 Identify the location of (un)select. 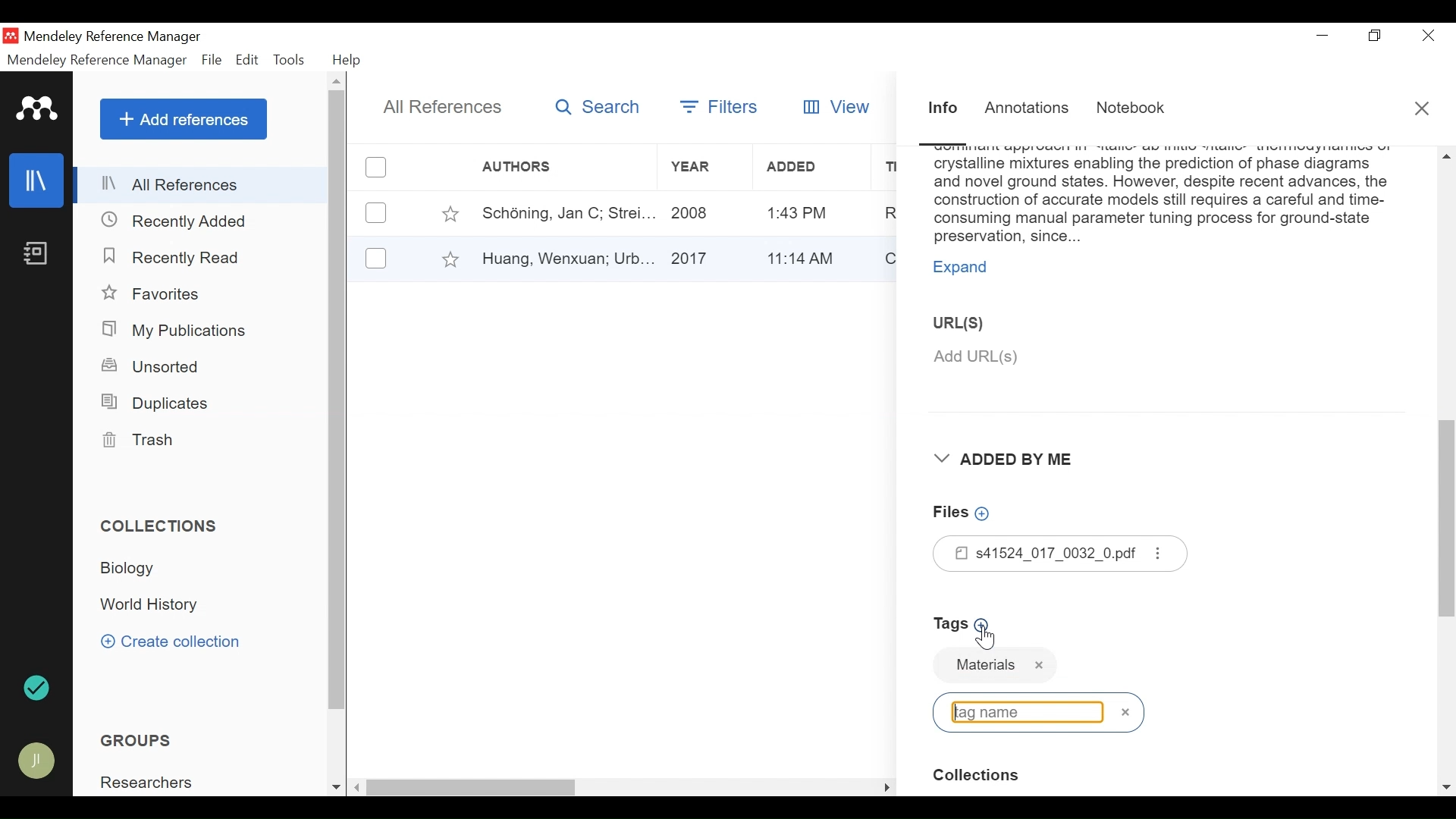
(376, 213).